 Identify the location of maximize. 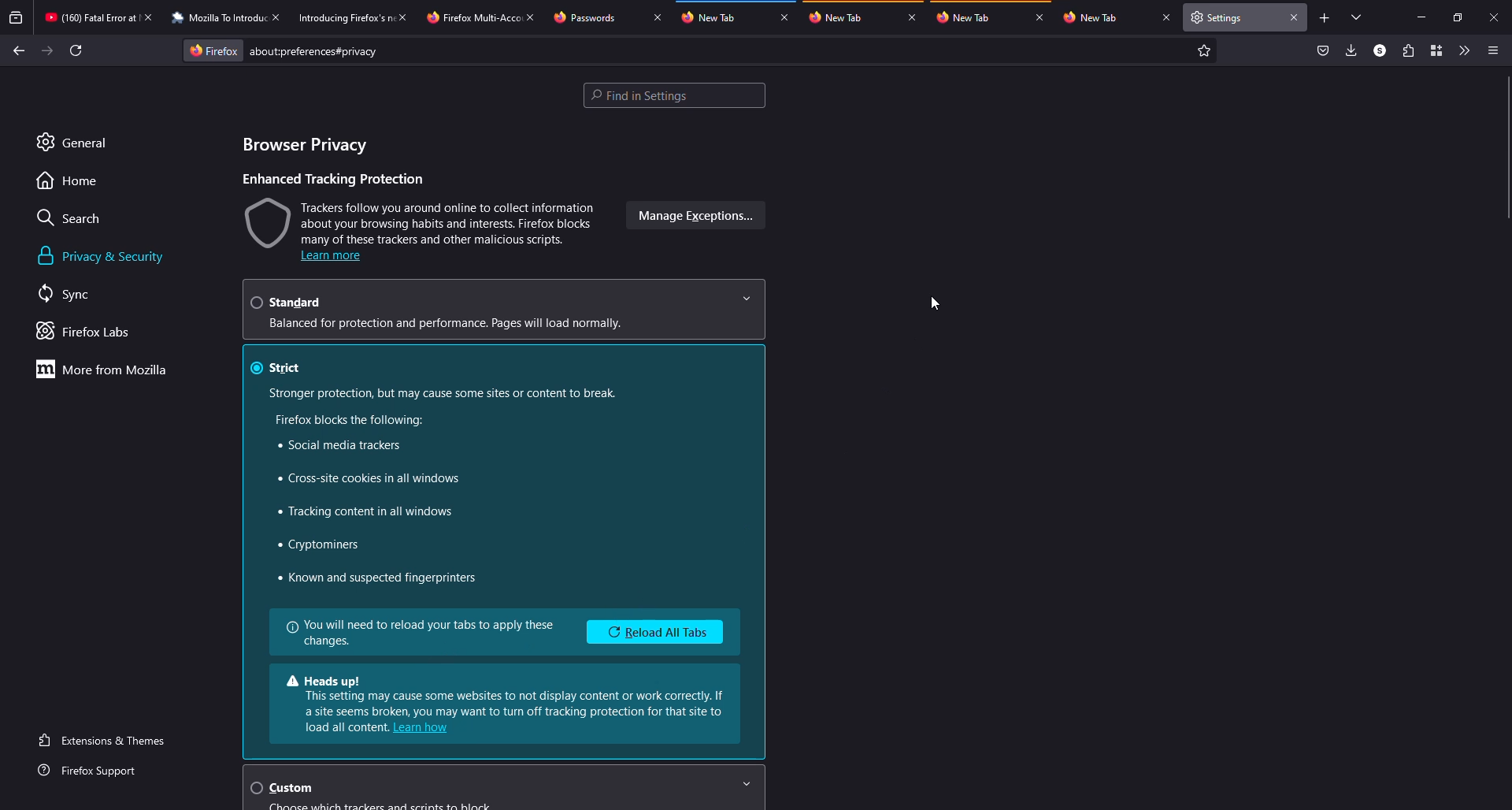
(1459, 17).